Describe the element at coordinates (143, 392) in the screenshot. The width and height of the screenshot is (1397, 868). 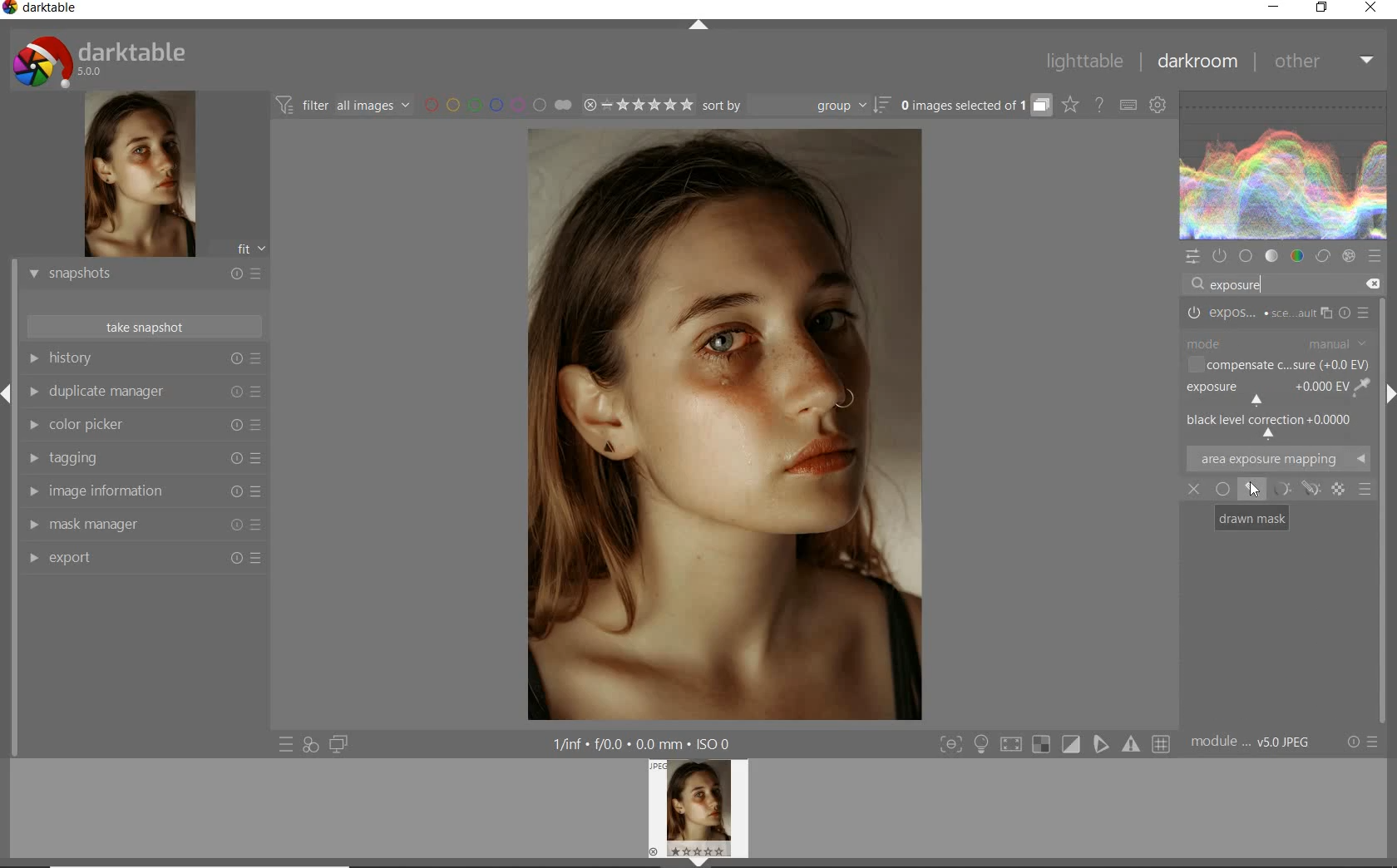
I see `duplicate manager` at that location.